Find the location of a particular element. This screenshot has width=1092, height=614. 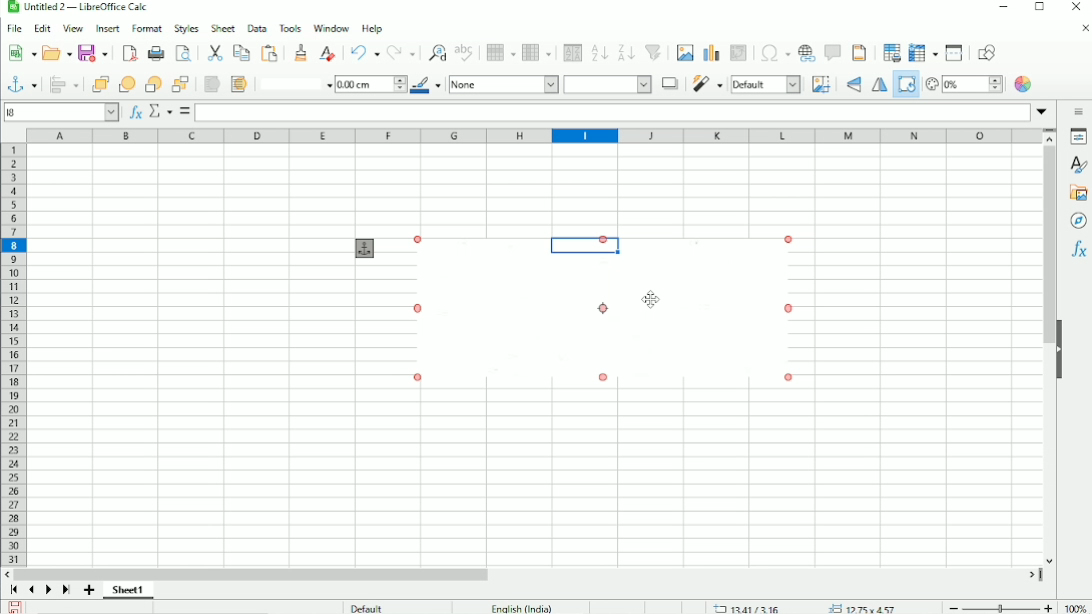

Align objects is located at coordinates (63, 84).